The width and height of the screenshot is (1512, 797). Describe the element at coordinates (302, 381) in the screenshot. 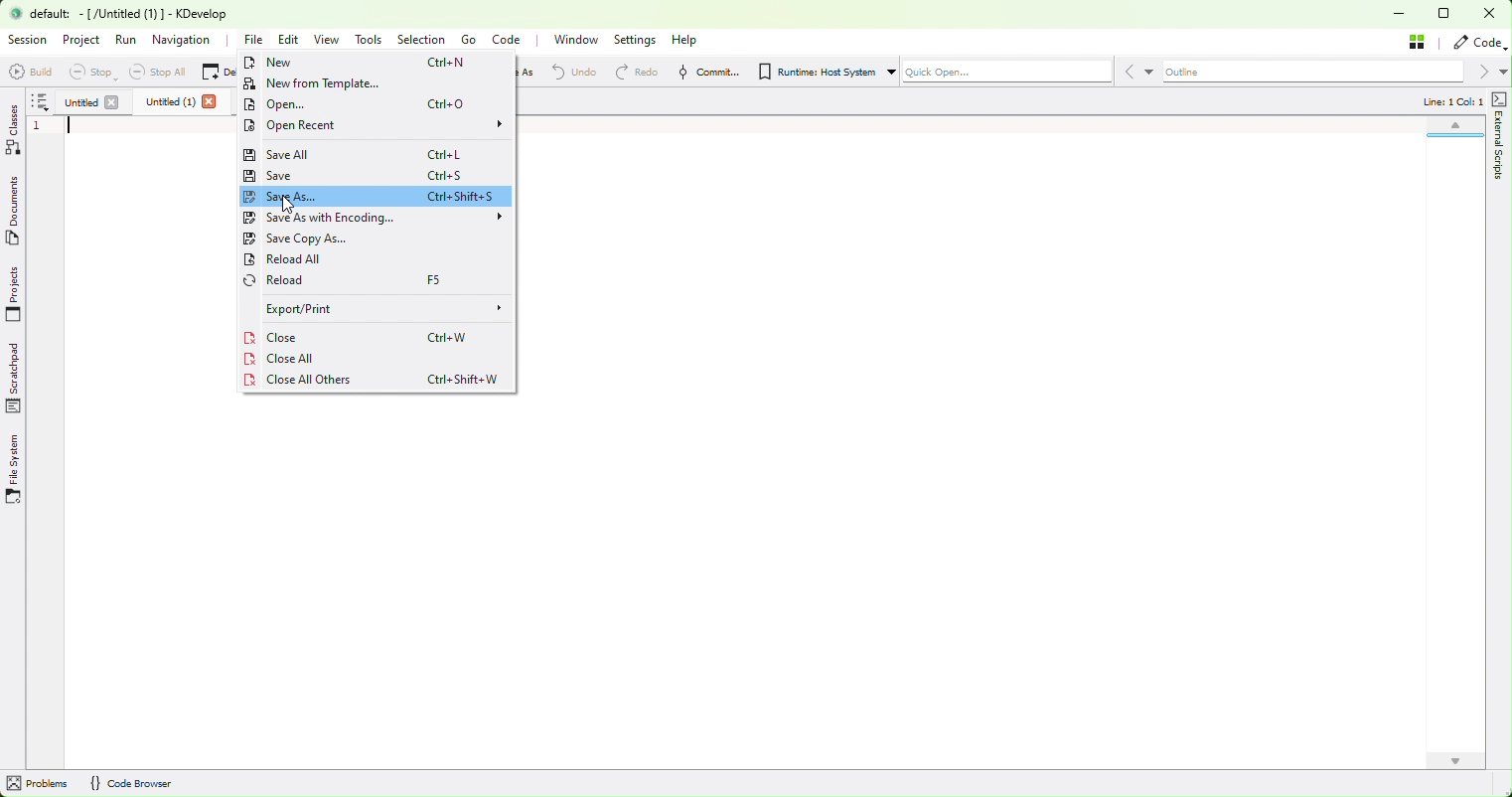

I see `Close all others` at that location.